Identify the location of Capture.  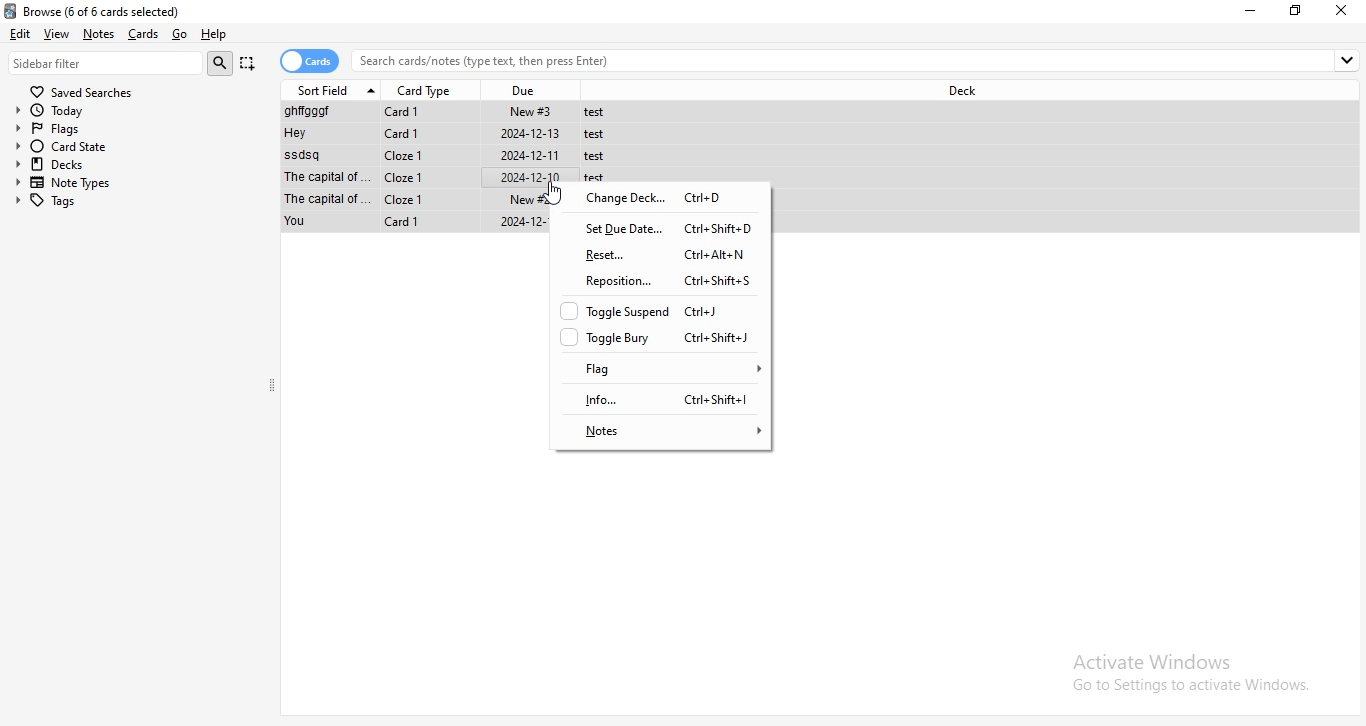
(248, 63).